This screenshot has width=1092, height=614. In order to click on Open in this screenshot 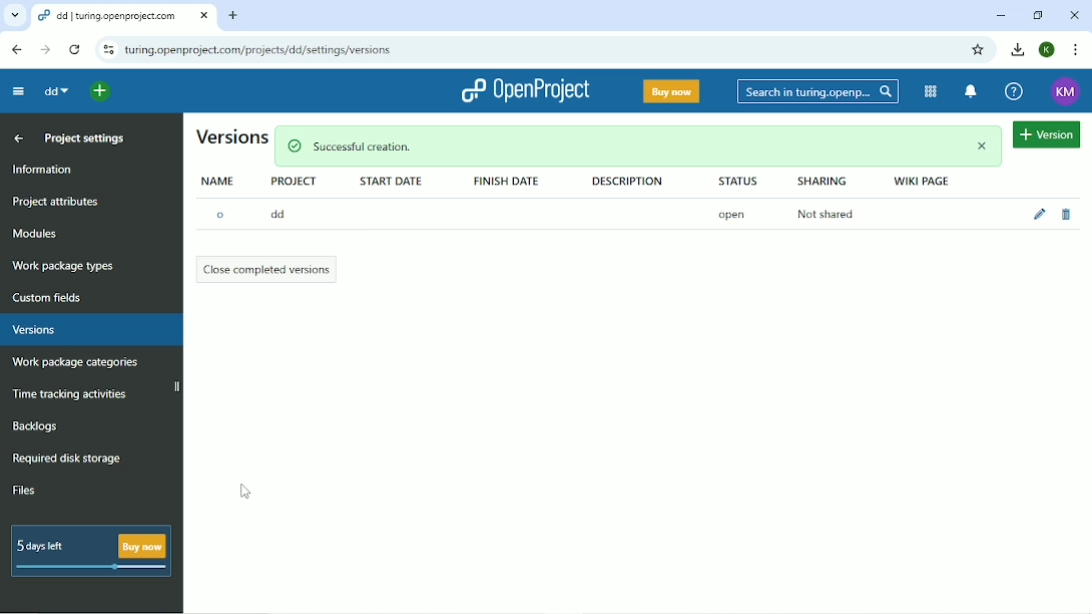, I will do `click(732, 214)`.